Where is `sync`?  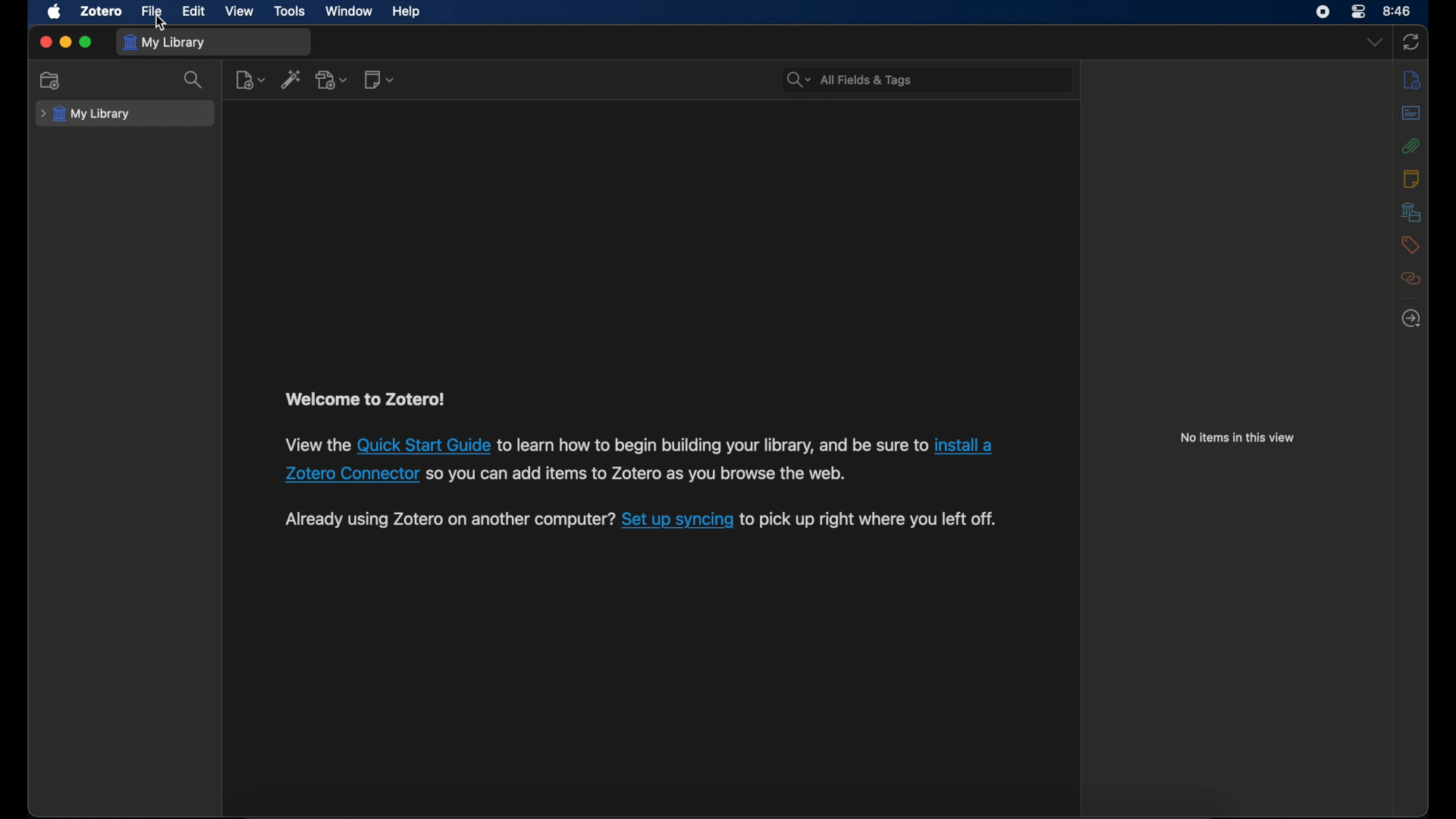
sync is located at coordinates (1411, 43).